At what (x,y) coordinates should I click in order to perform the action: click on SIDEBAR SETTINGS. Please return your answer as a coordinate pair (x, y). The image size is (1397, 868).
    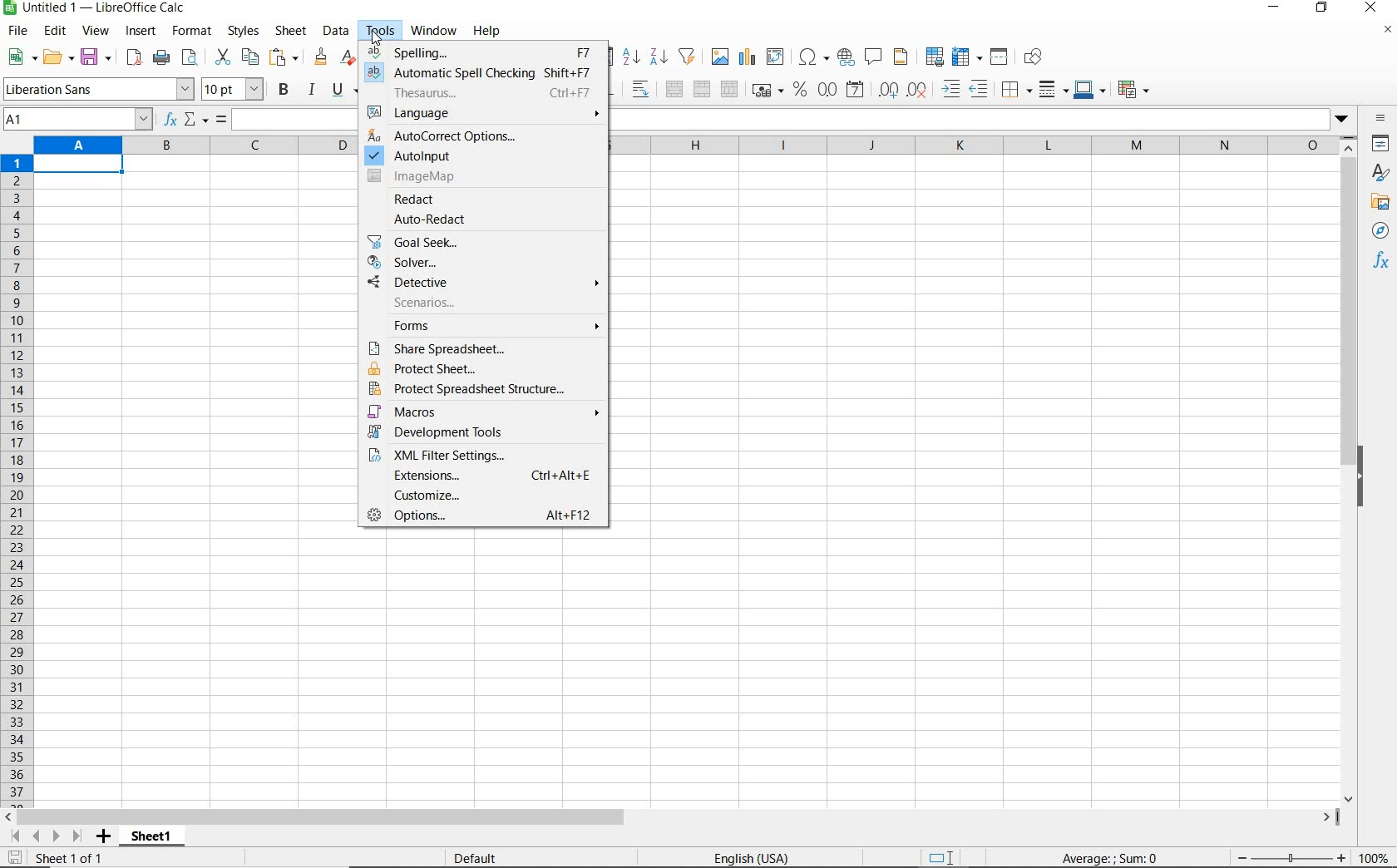
    Looking at the image, I should click on (1382, 120).